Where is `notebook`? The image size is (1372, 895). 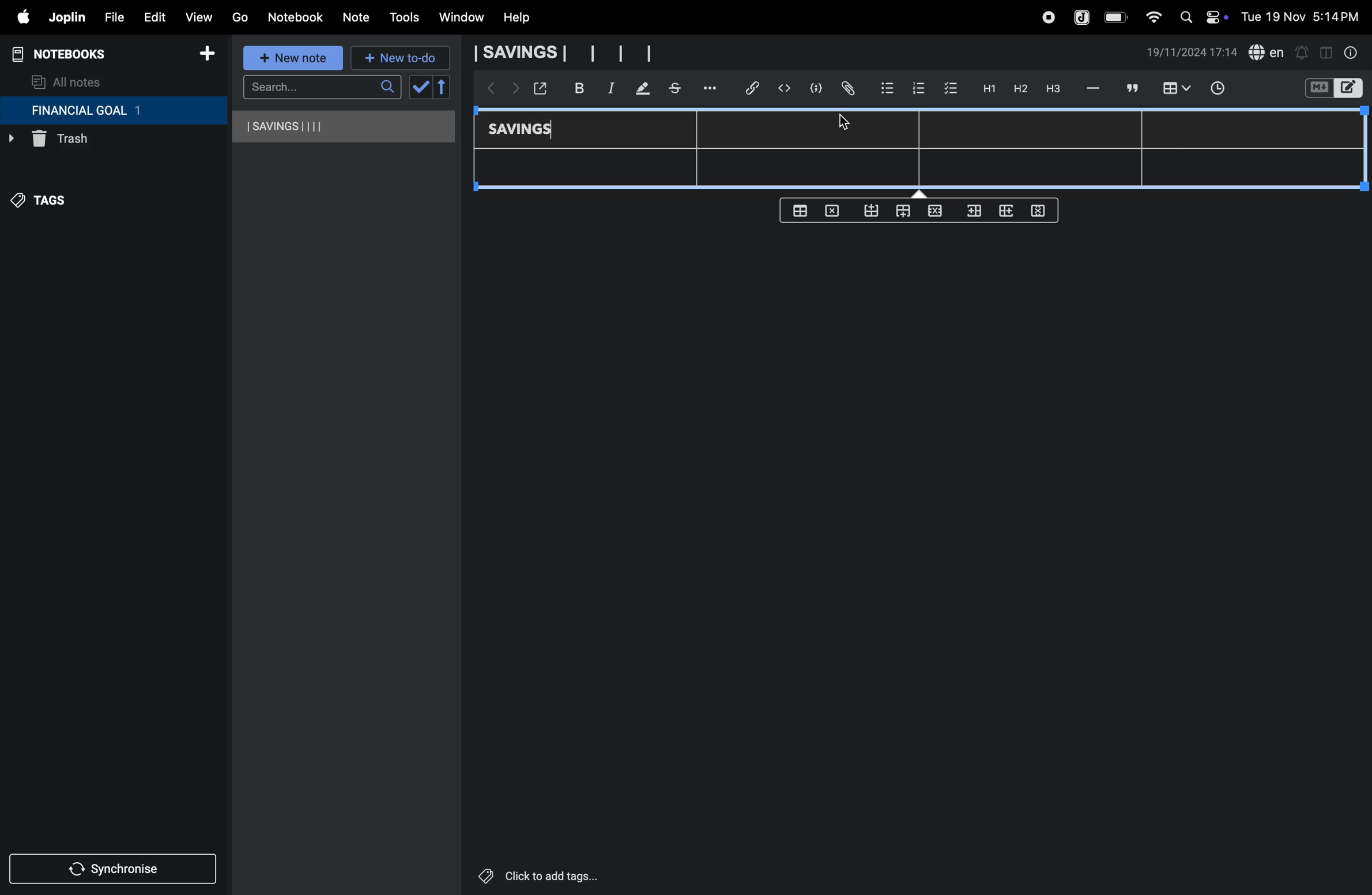
notebook is located at coordinates (295, 17).